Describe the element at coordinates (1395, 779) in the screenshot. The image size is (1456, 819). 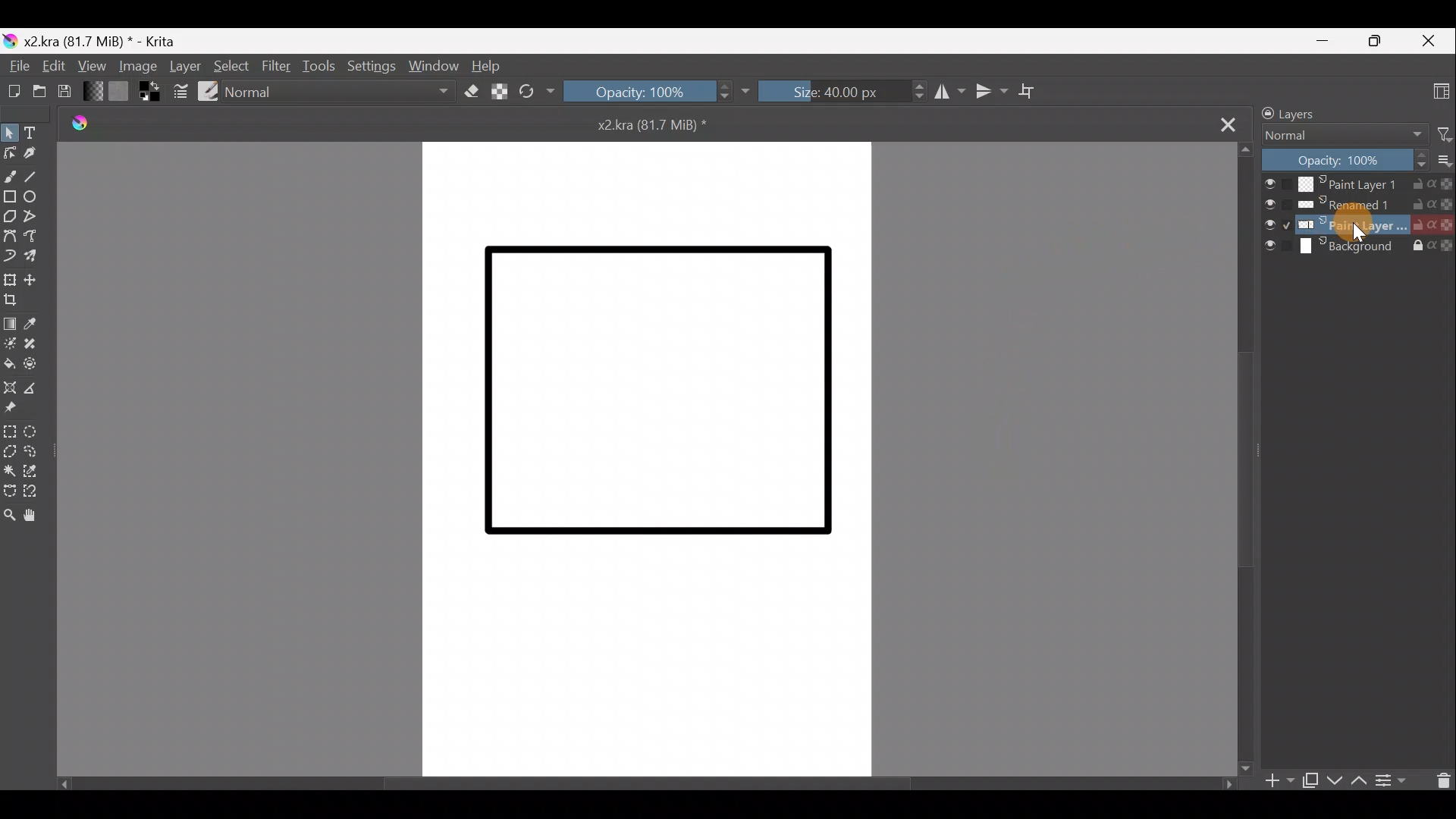
I see `View/change layer properties` at that location.